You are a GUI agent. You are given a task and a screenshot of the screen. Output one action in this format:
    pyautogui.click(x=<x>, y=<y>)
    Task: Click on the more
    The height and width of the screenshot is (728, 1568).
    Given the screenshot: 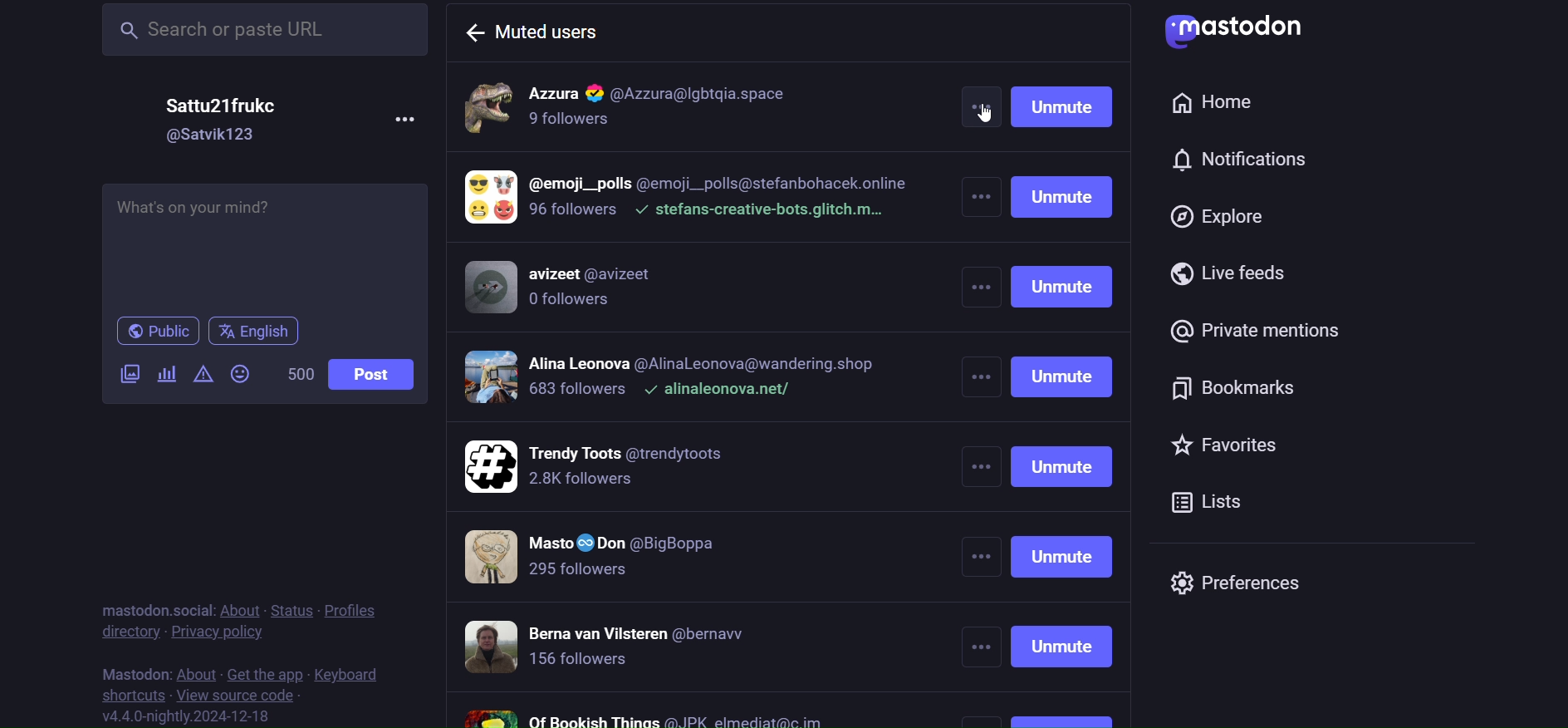 What is the action you would take?
    pyautogui.click(x=980, y=111)
    